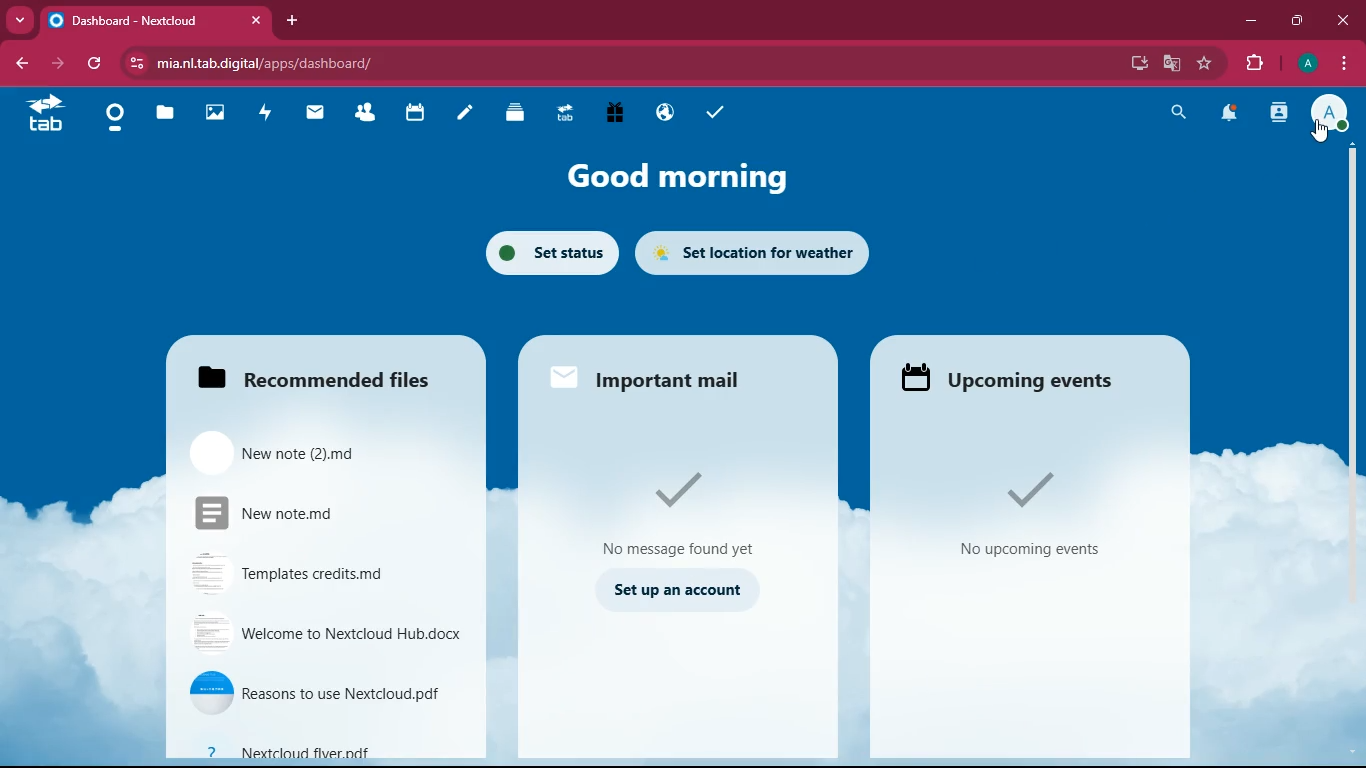  Describe the element at coordinates (1028, 379) in the screenshot. I see `upcoming events` at that location.